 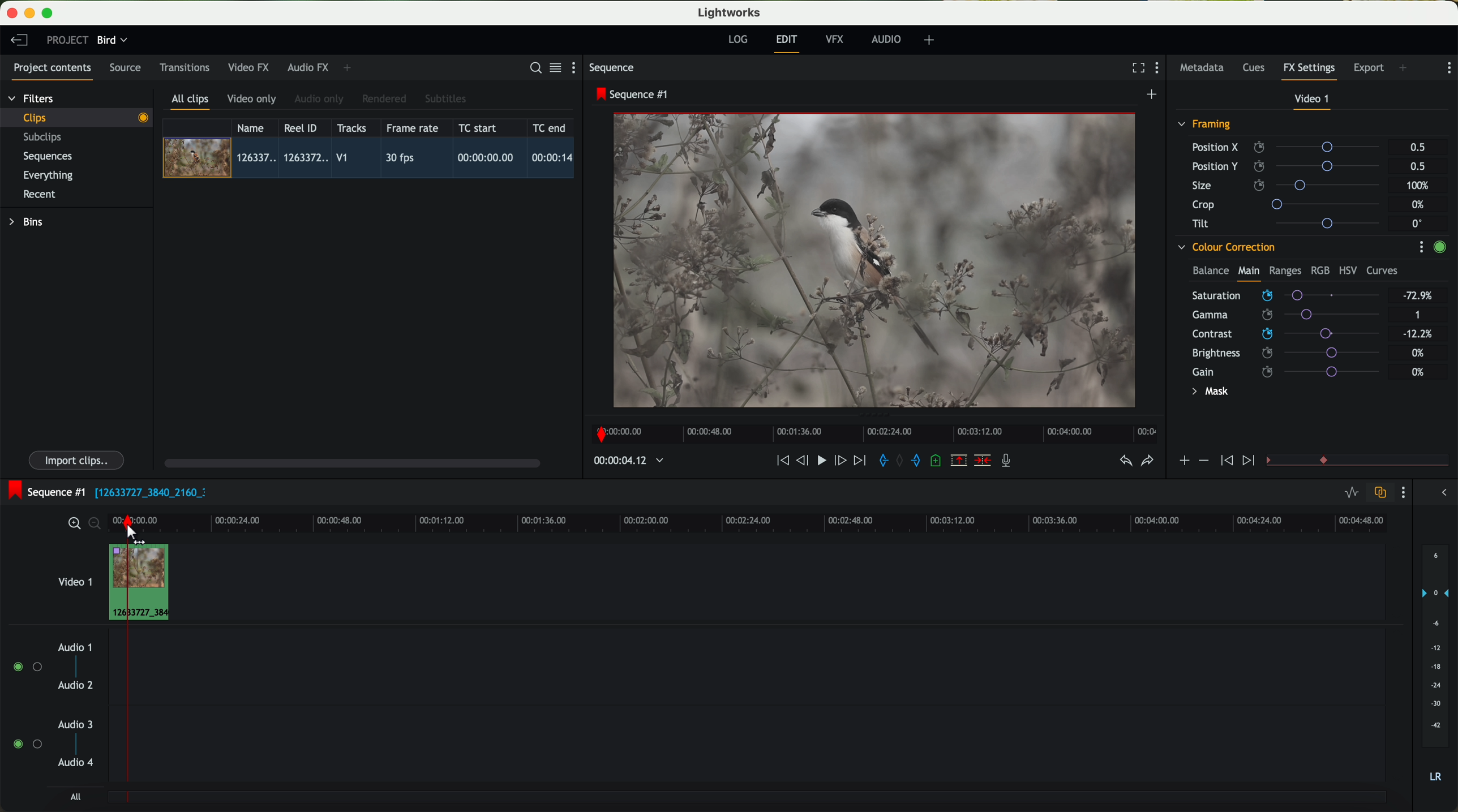 I want to click on source, so click(x=125, y=68).